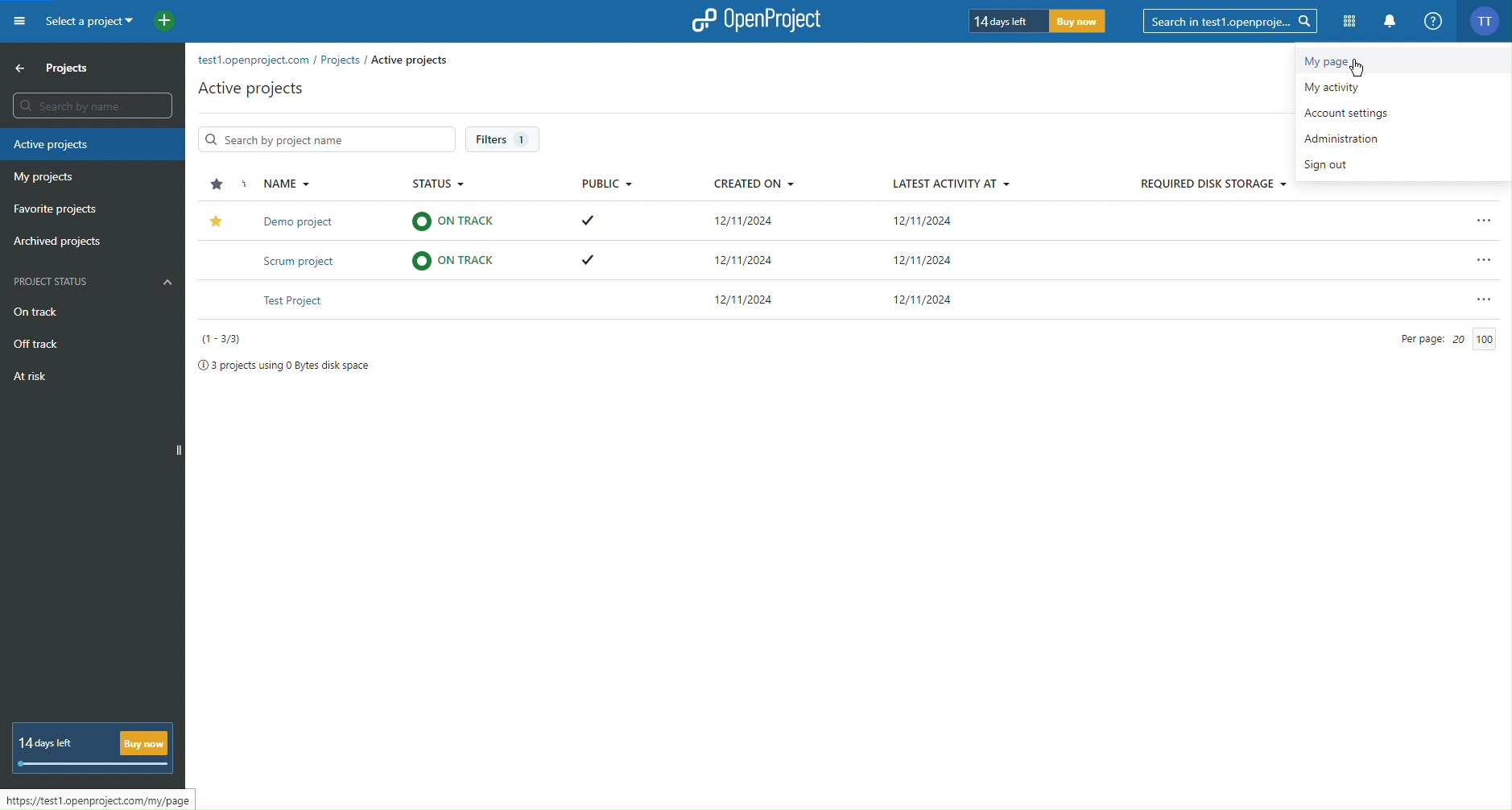  I want to click on Required Disk Storage, so click(1205, 184).